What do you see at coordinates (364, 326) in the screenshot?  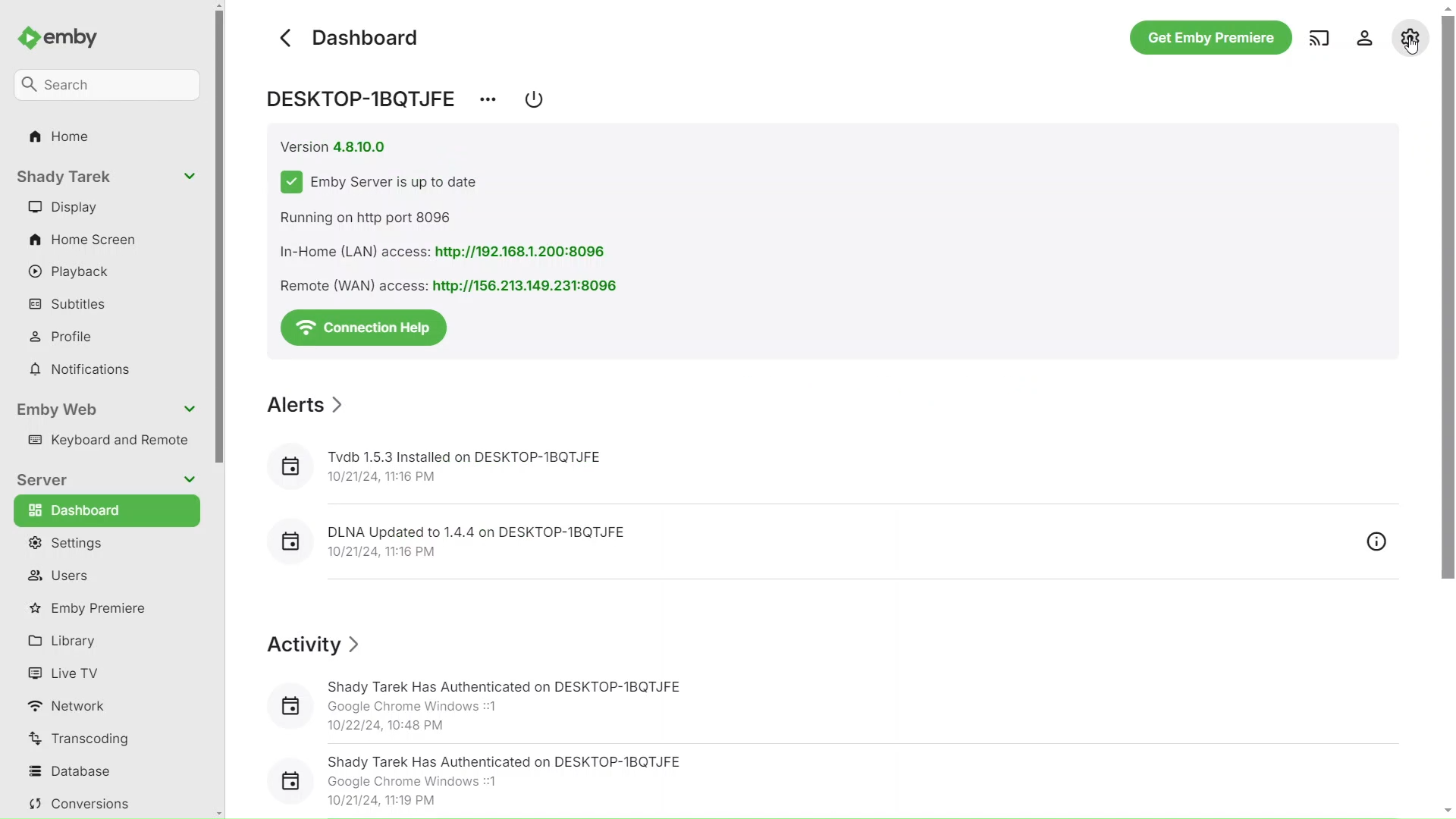 I see `Connection Help` at bounding box center [364, 326].